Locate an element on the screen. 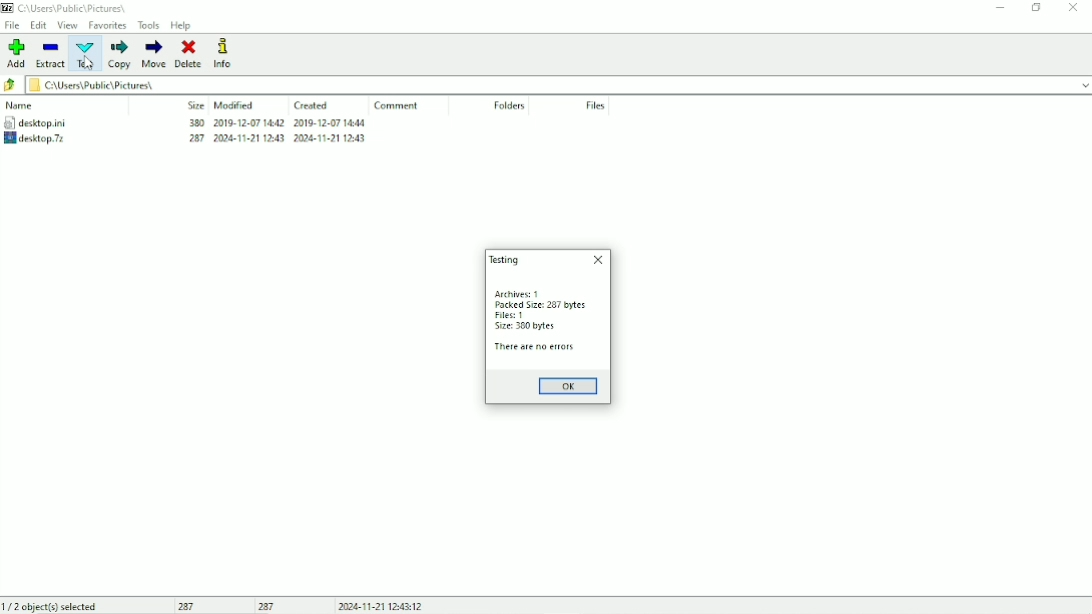 This screenshot has height=614, width=1092. Help is located at coordinates (182, 25).